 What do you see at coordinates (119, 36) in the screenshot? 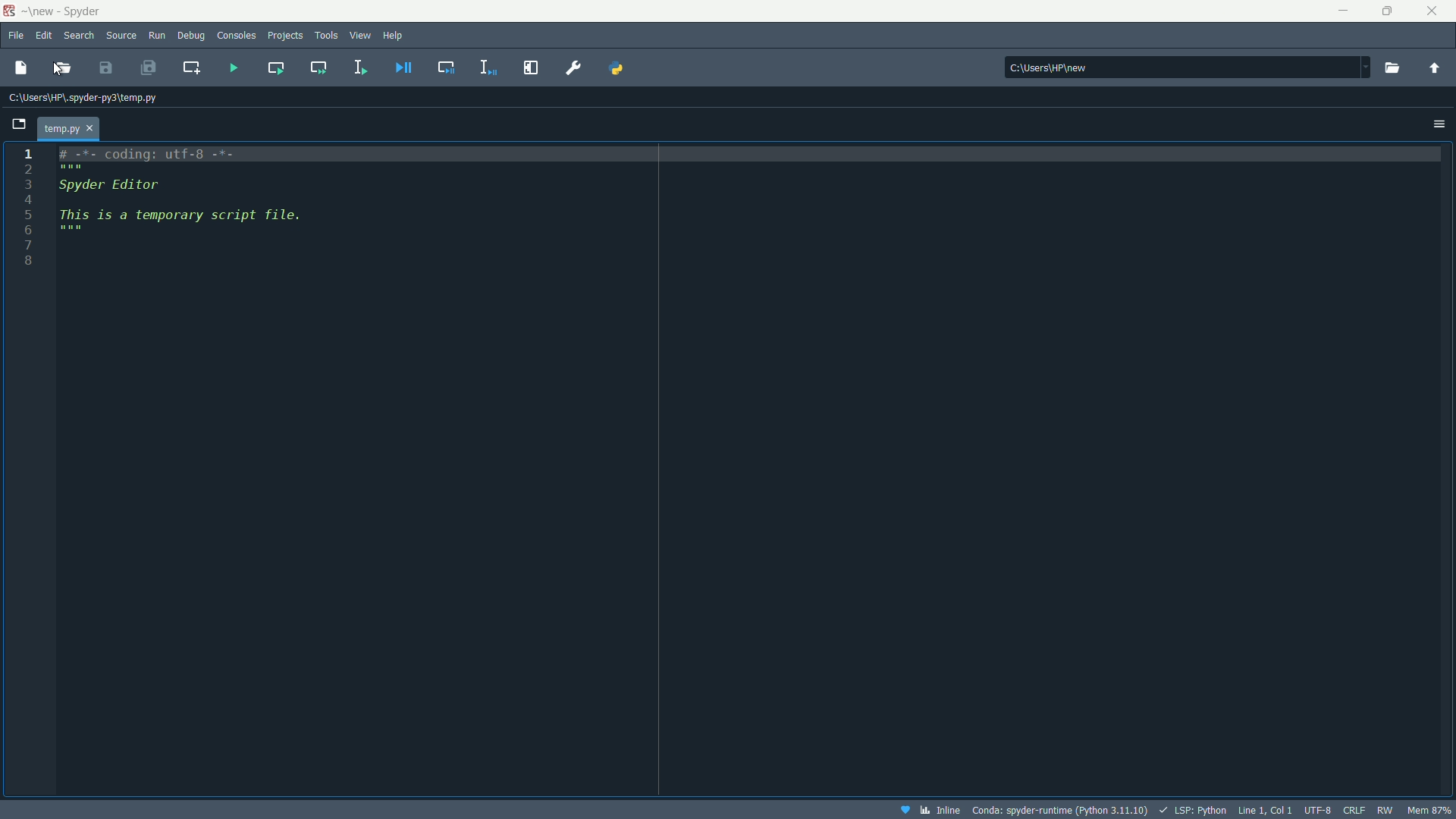
I see `Source menu` at bounding box center [119, 36].